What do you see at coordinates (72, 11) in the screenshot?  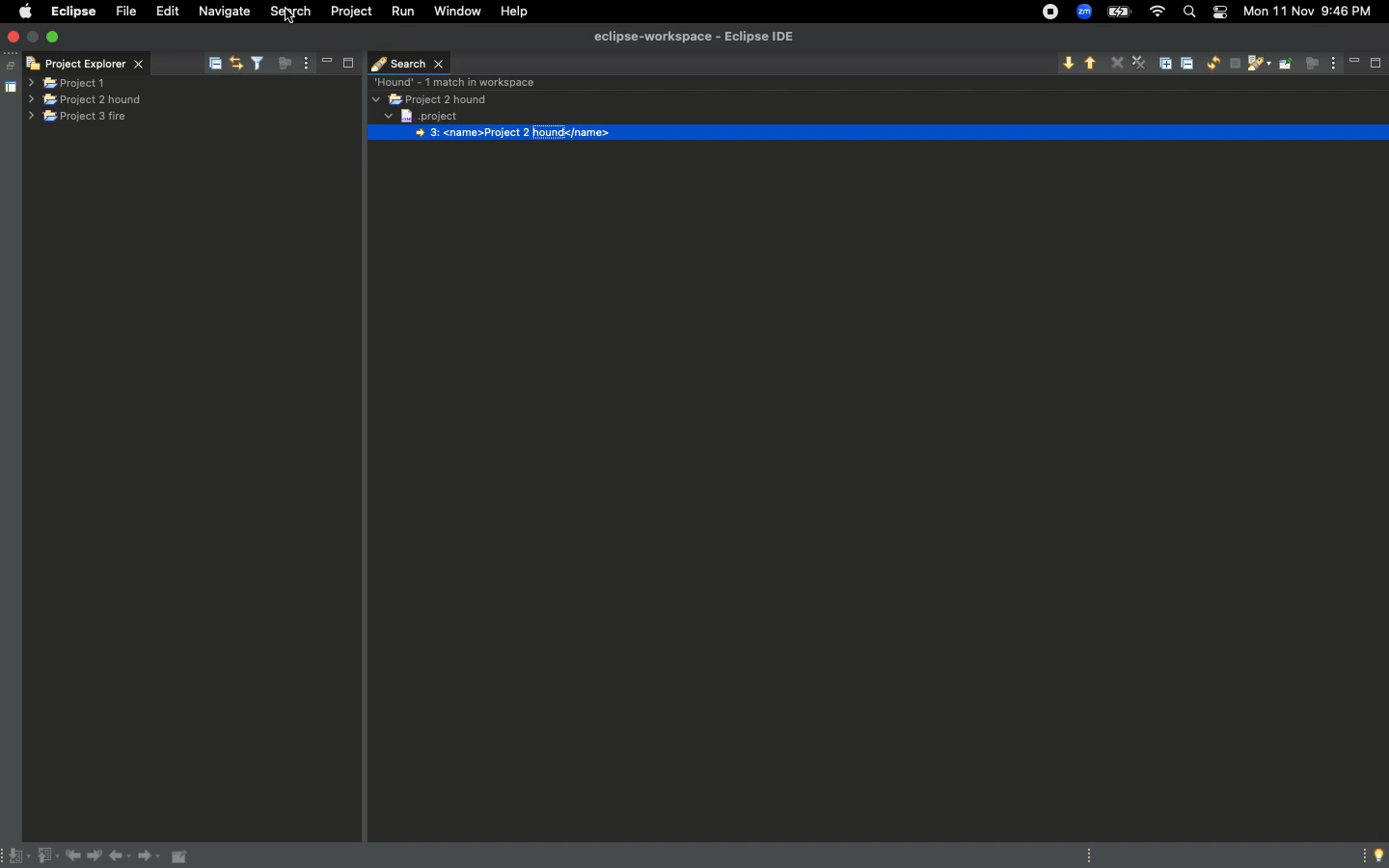 I see `Eclipse` at bounding box center [72, 11].